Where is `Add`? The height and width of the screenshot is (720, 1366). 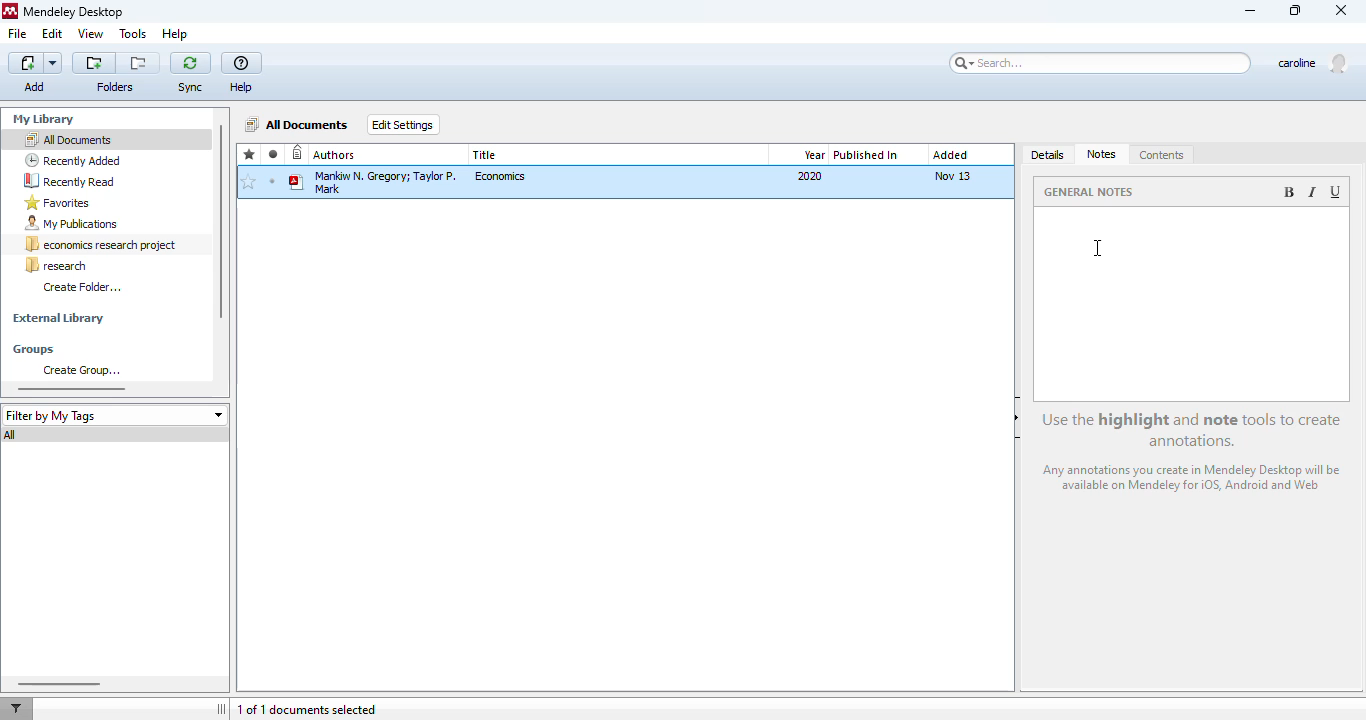 Add is located at coordinates (36, 86).